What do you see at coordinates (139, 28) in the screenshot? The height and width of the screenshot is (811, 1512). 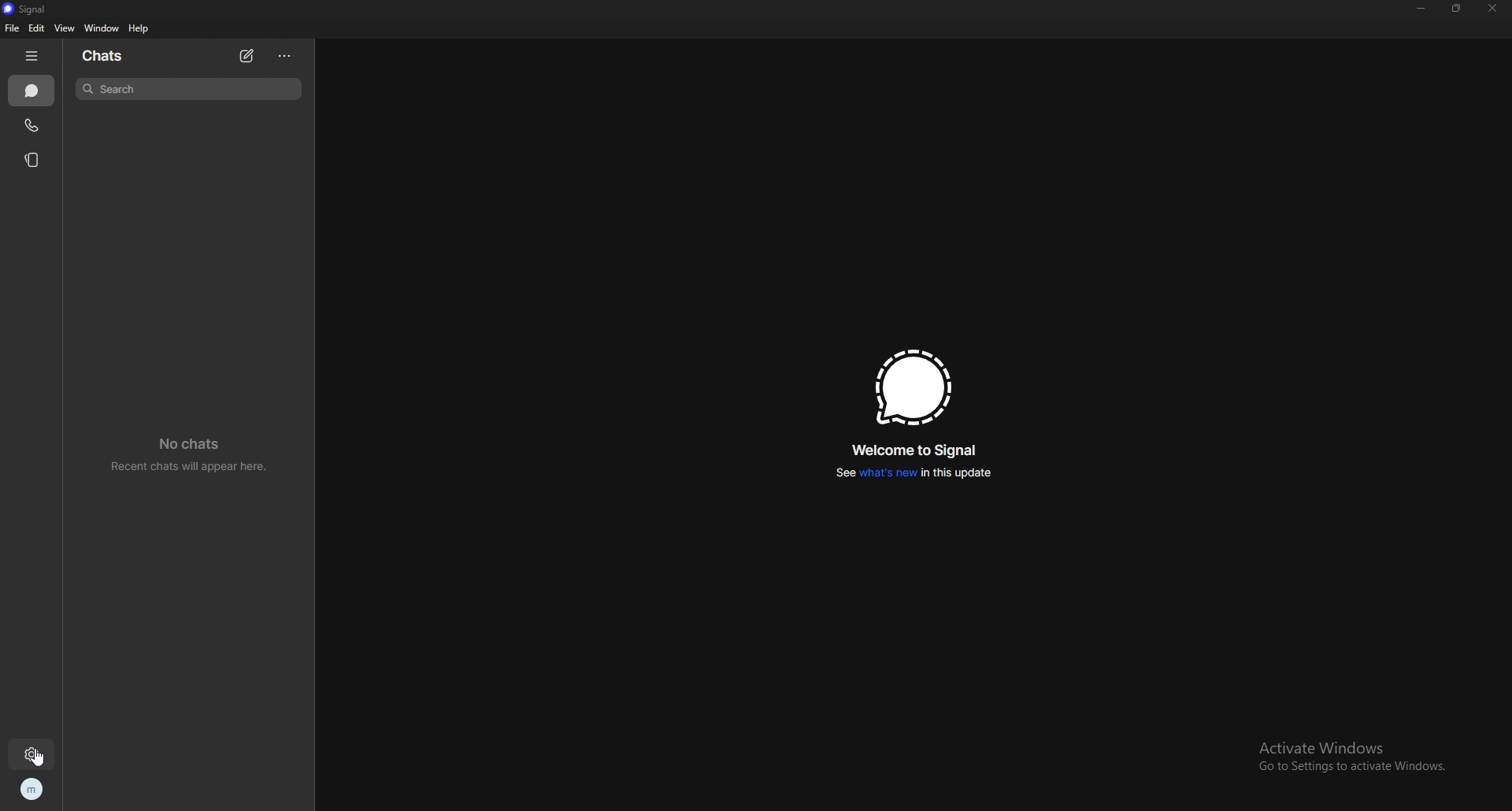 I see `help` at bounding box center [139, 28].